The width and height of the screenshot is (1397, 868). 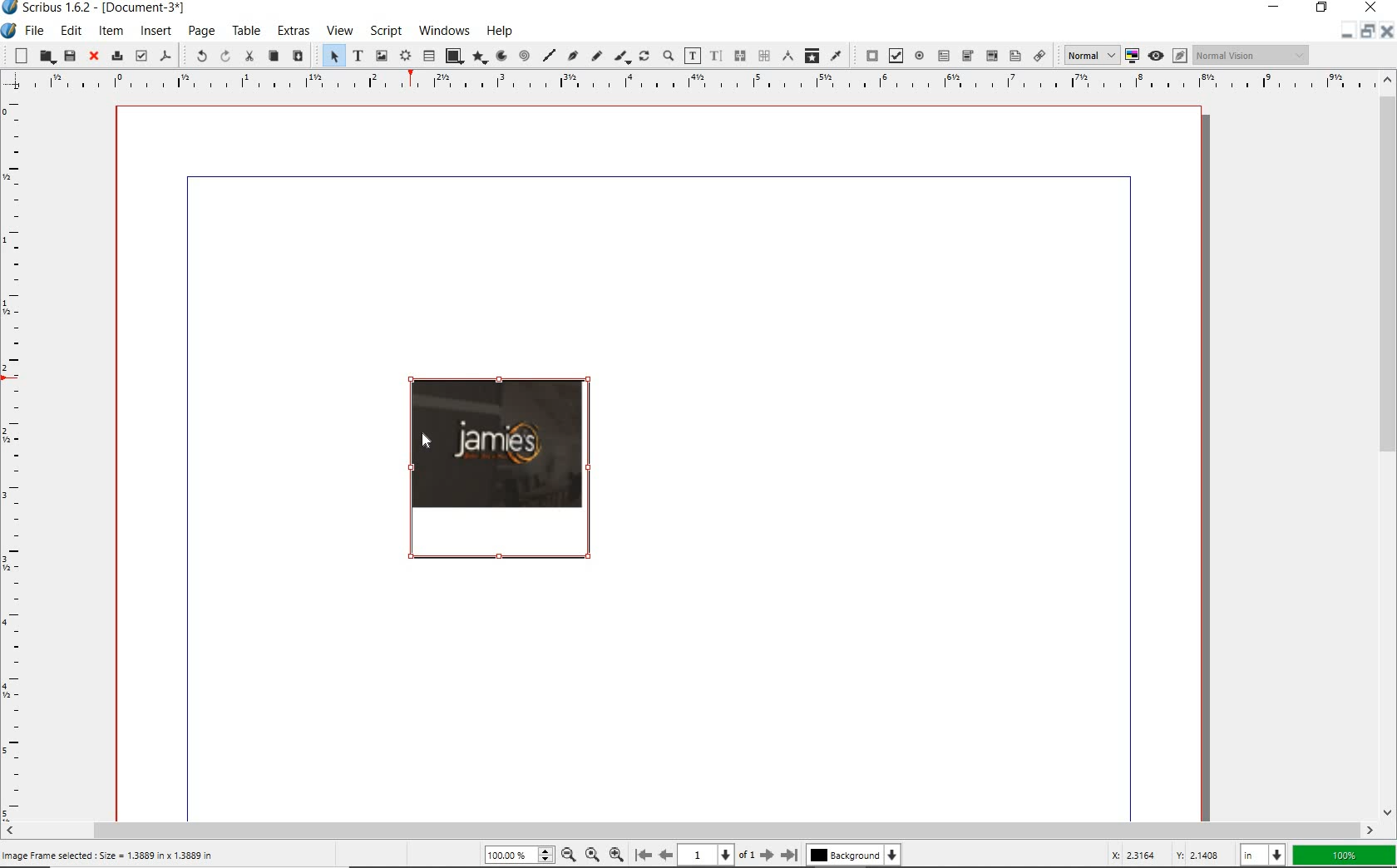 What do you see at coordinates (17, 454) in the screenshot?
I see `RULER` at bounding box center [17, 454].